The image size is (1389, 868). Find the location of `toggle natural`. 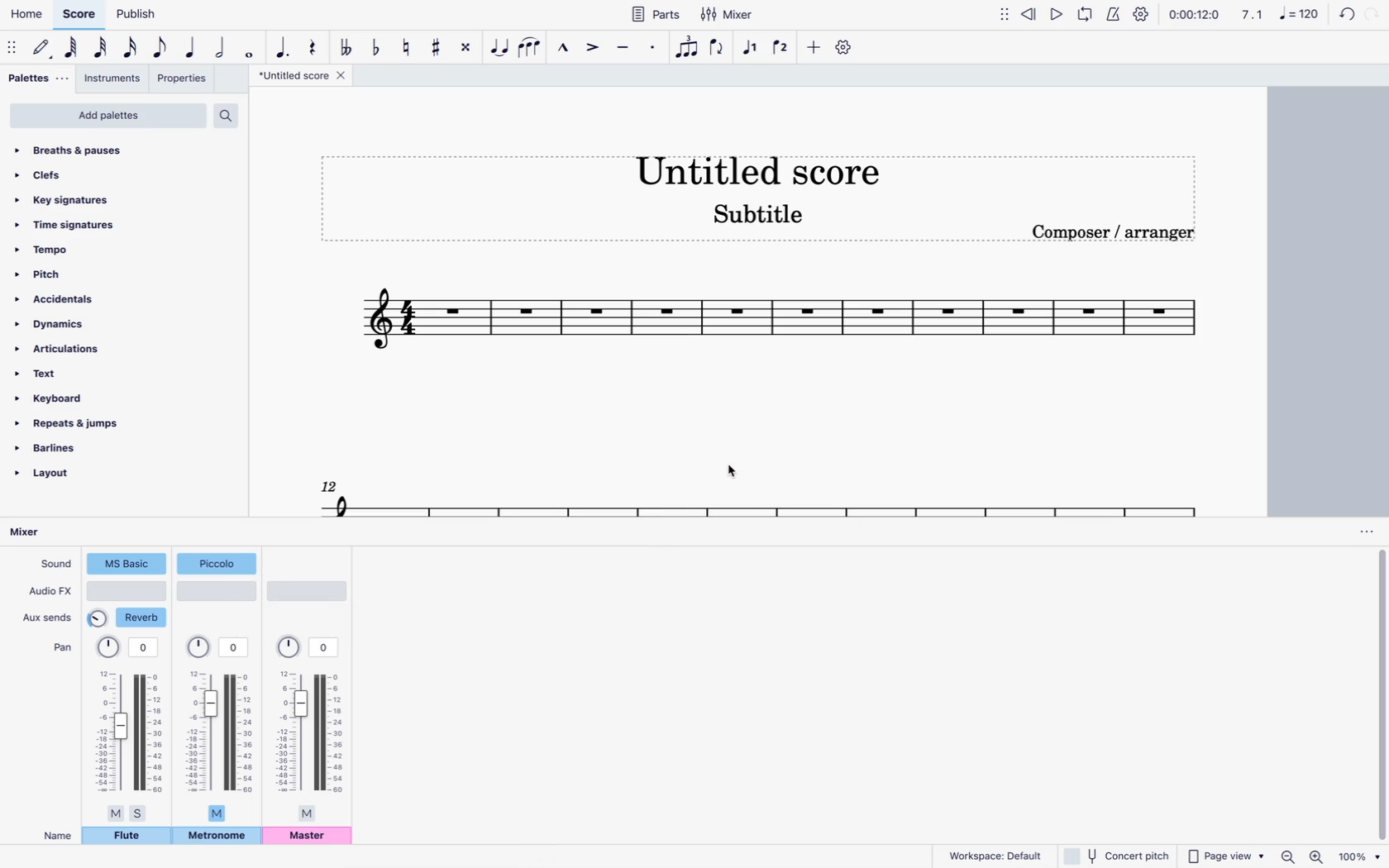

toggle natural is located at coordinates (408, 46).